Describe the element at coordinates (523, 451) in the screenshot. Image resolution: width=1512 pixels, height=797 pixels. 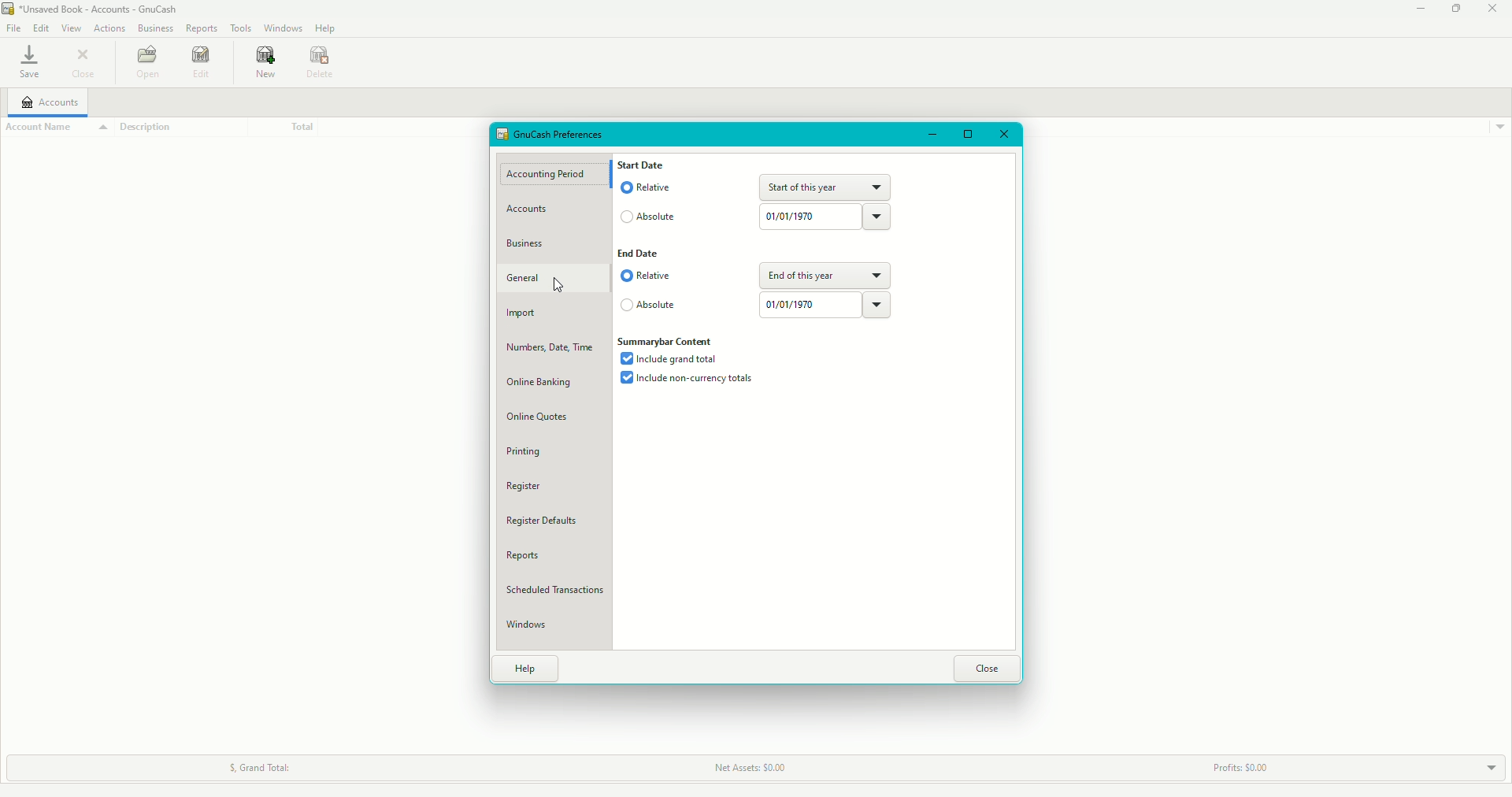
I see `Printing` at that location.